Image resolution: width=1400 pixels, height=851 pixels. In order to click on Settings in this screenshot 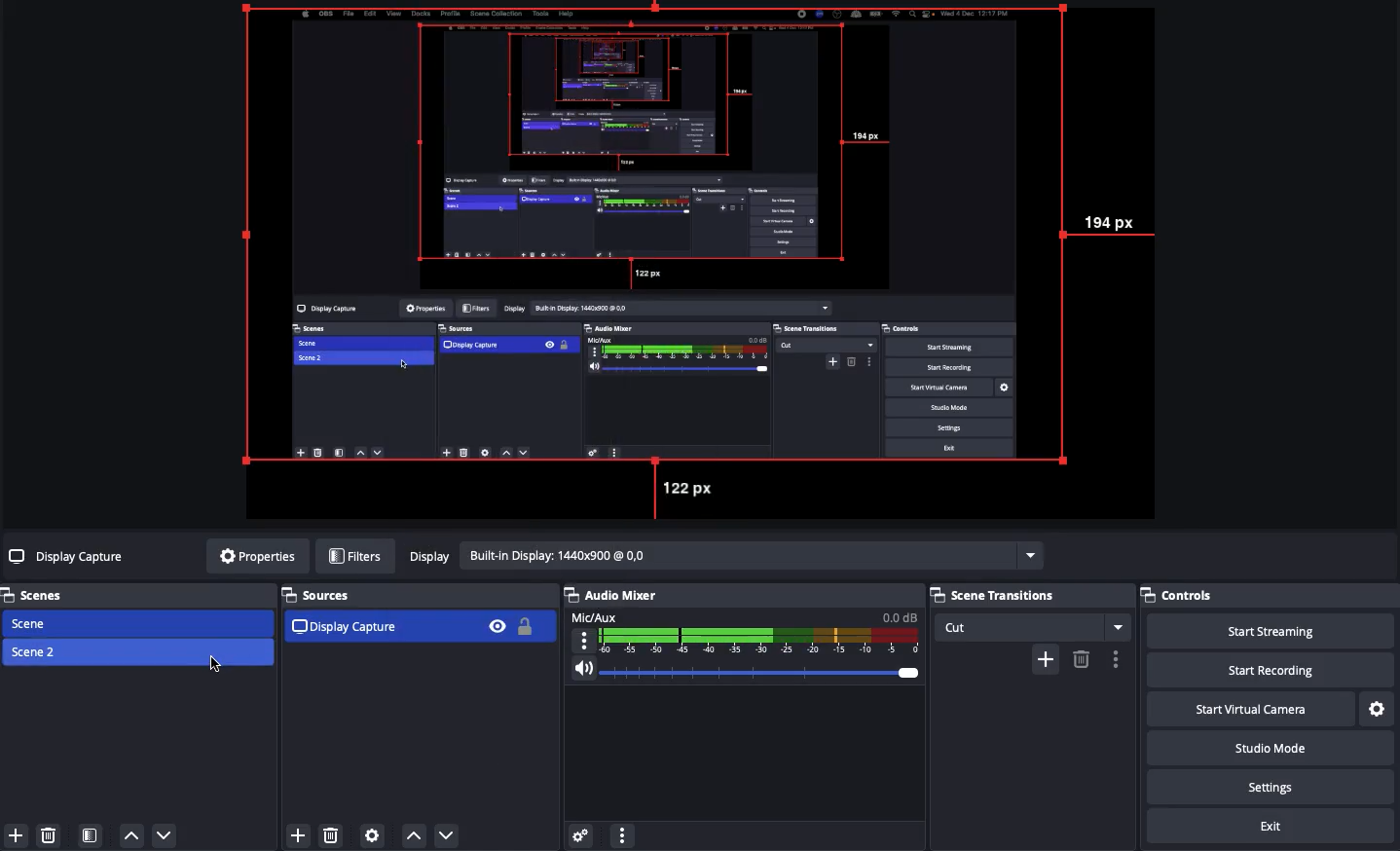, I will do `click(1269, 786)`.